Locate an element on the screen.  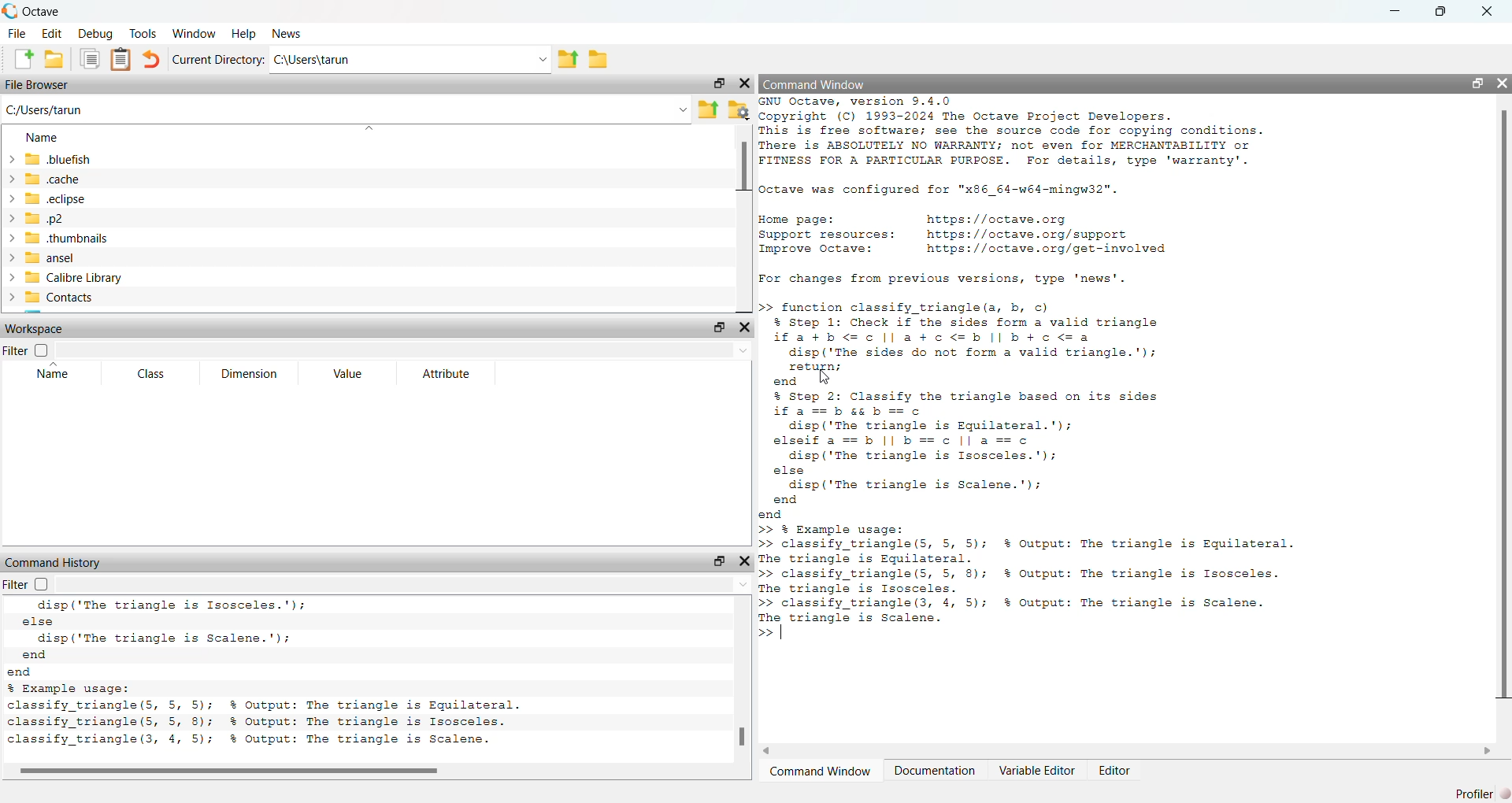
else loop is located at coordinates (174, 614).